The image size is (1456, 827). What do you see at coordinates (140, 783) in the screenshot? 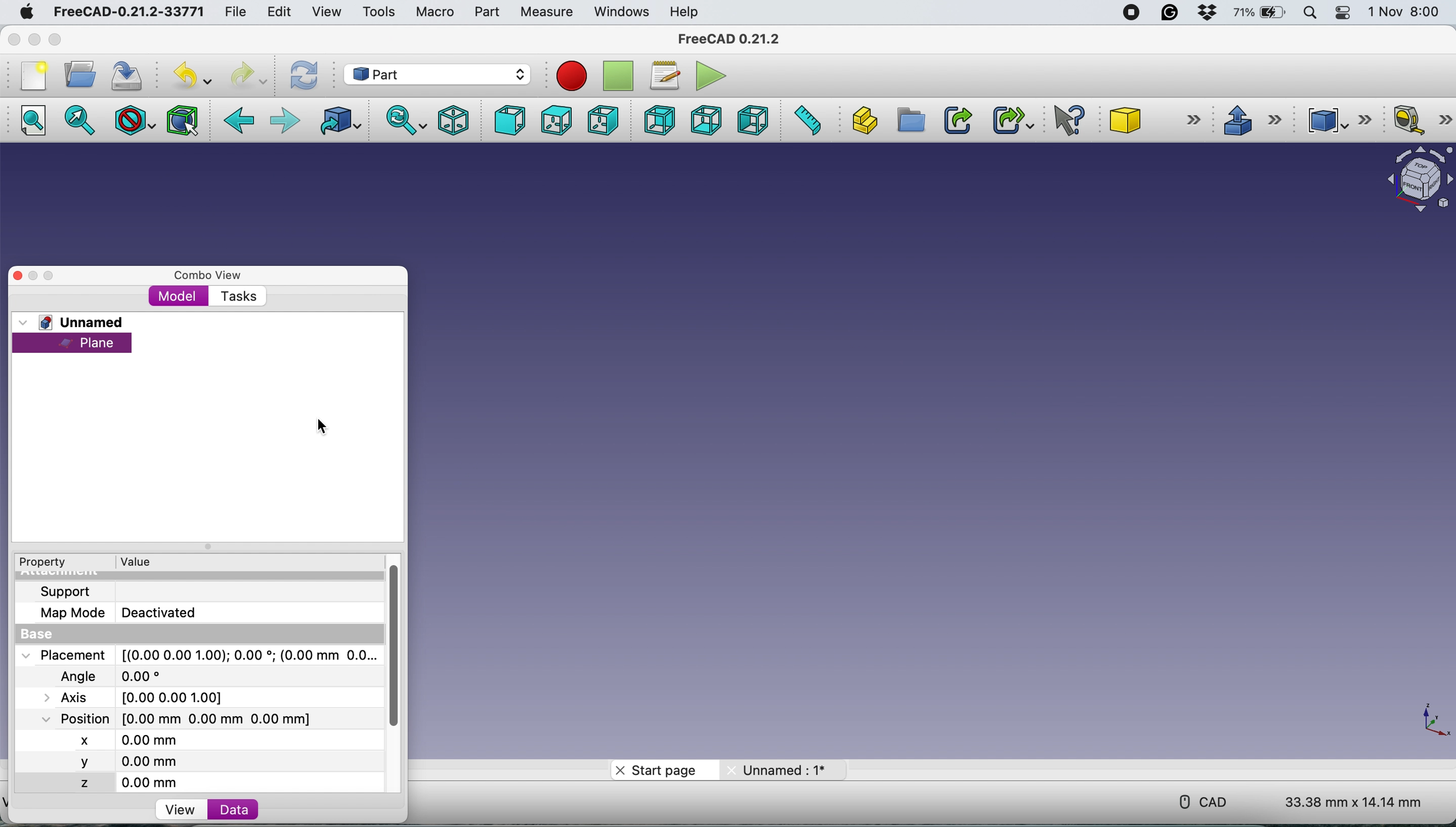
I see `z 0.00 mm` at bounding box center [140, 783].